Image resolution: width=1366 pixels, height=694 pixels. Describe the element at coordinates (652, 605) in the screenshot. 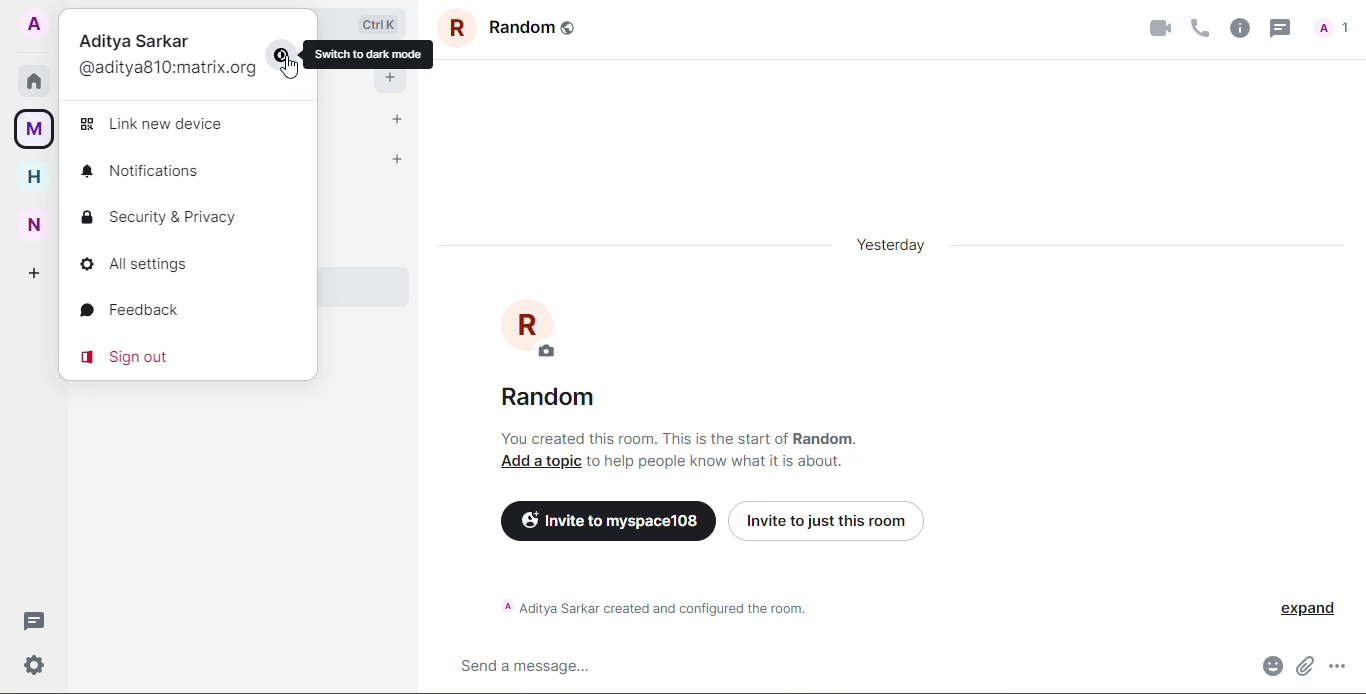

I see `info` at that location.